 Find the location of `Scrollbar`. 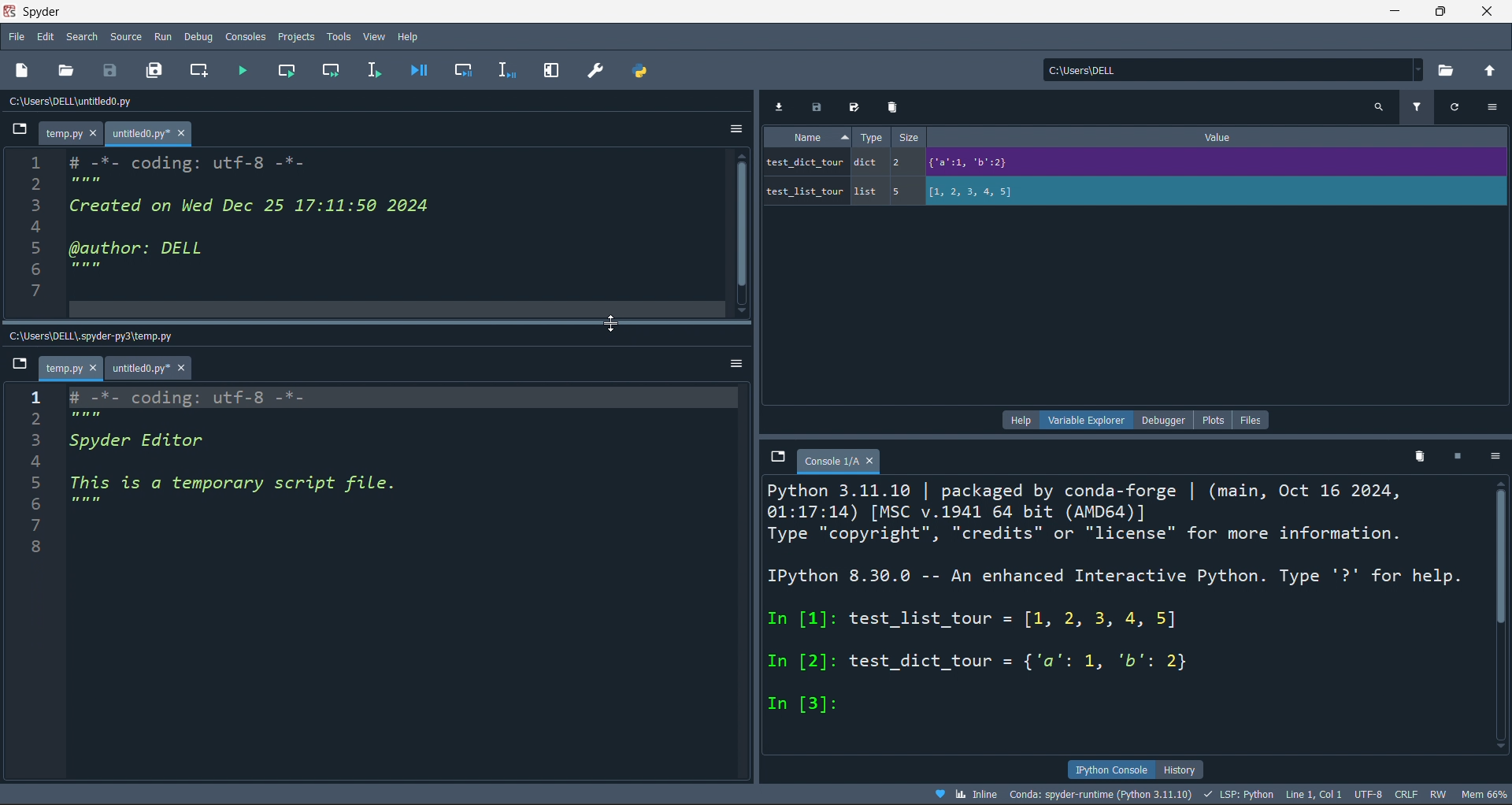

Scrollbar is located at coordinates (1503, 607).